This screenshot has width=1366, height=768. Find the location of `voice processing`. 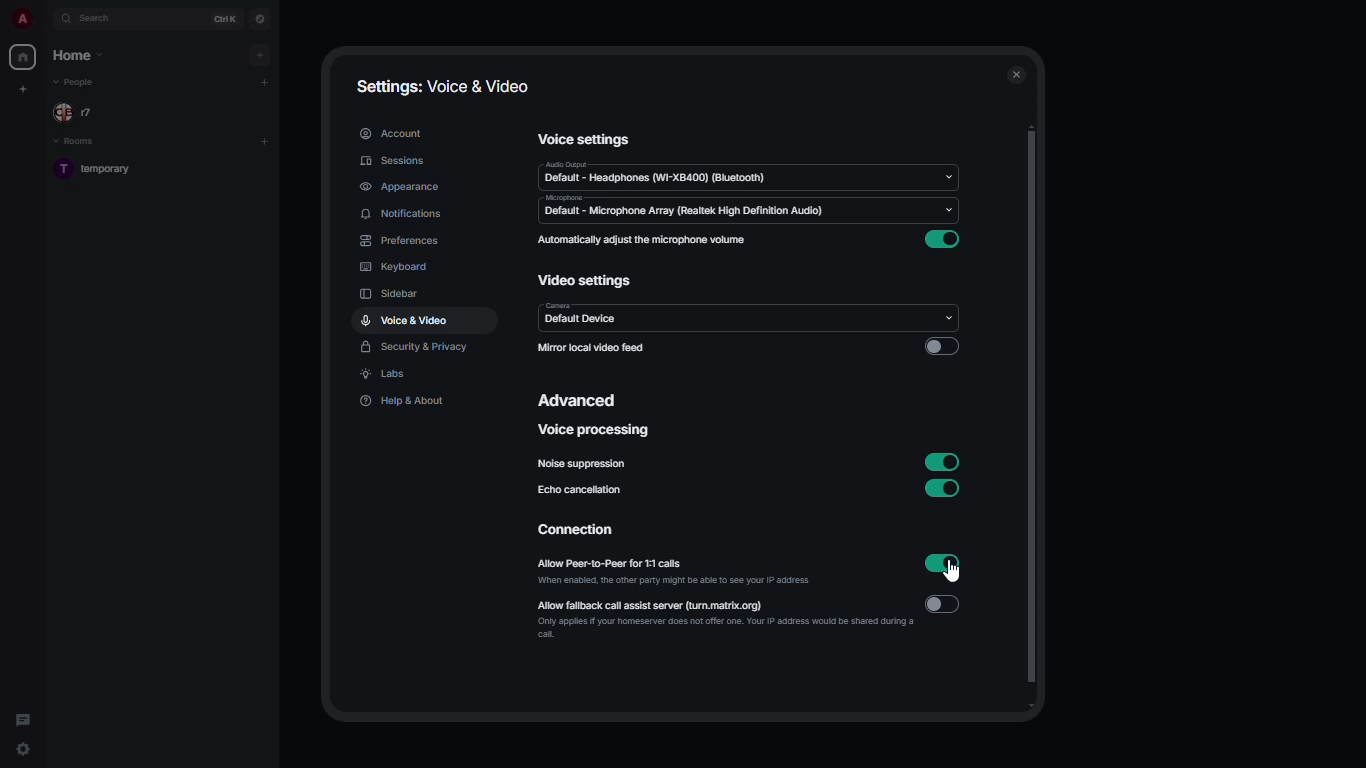

voice processing is located at coordinates (595, 432).